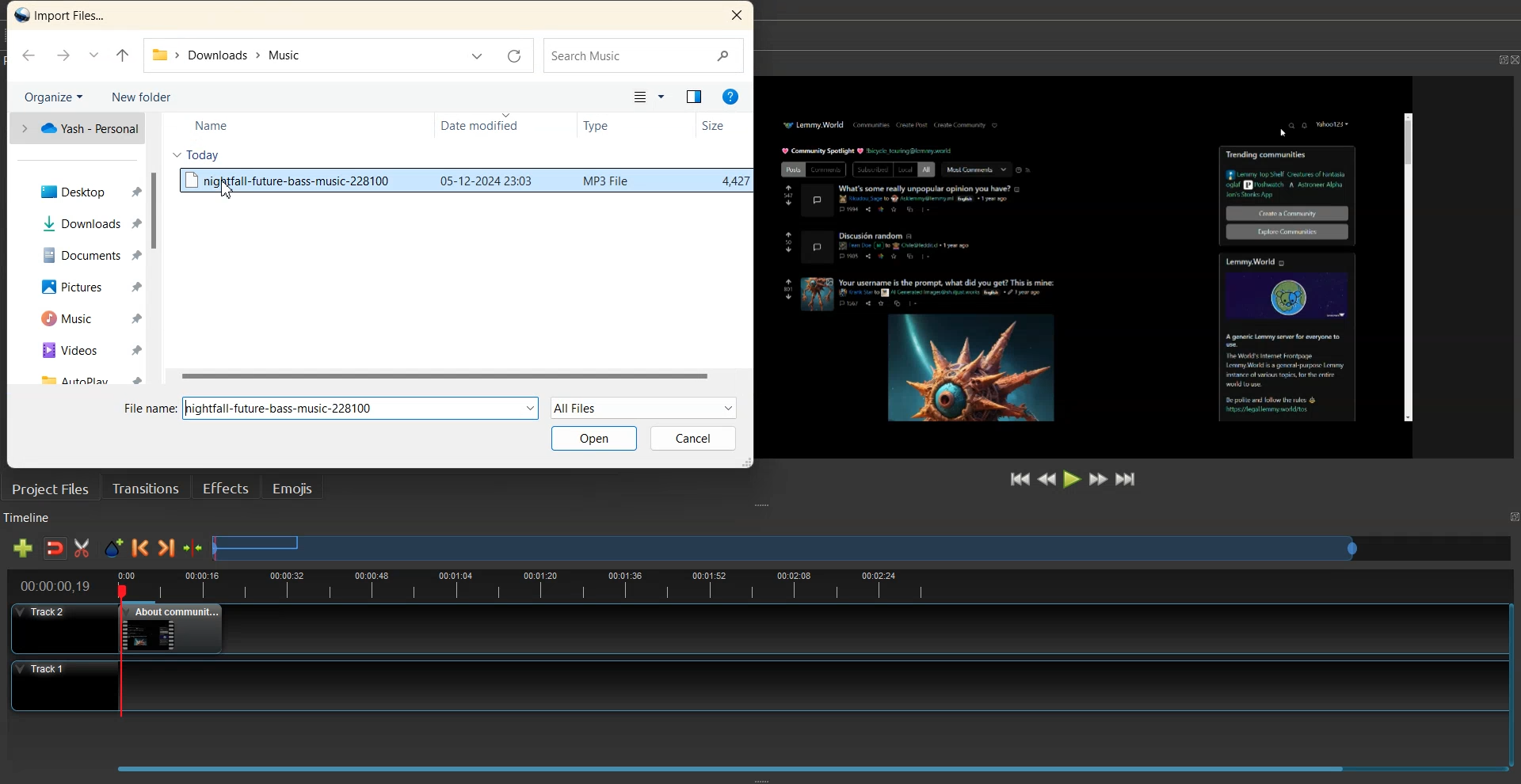 The image size is (1521, 784). What do you see at coordinates (64, 56) in the screenshot?
I see `Go Forward` at bounding box center [64, 56].